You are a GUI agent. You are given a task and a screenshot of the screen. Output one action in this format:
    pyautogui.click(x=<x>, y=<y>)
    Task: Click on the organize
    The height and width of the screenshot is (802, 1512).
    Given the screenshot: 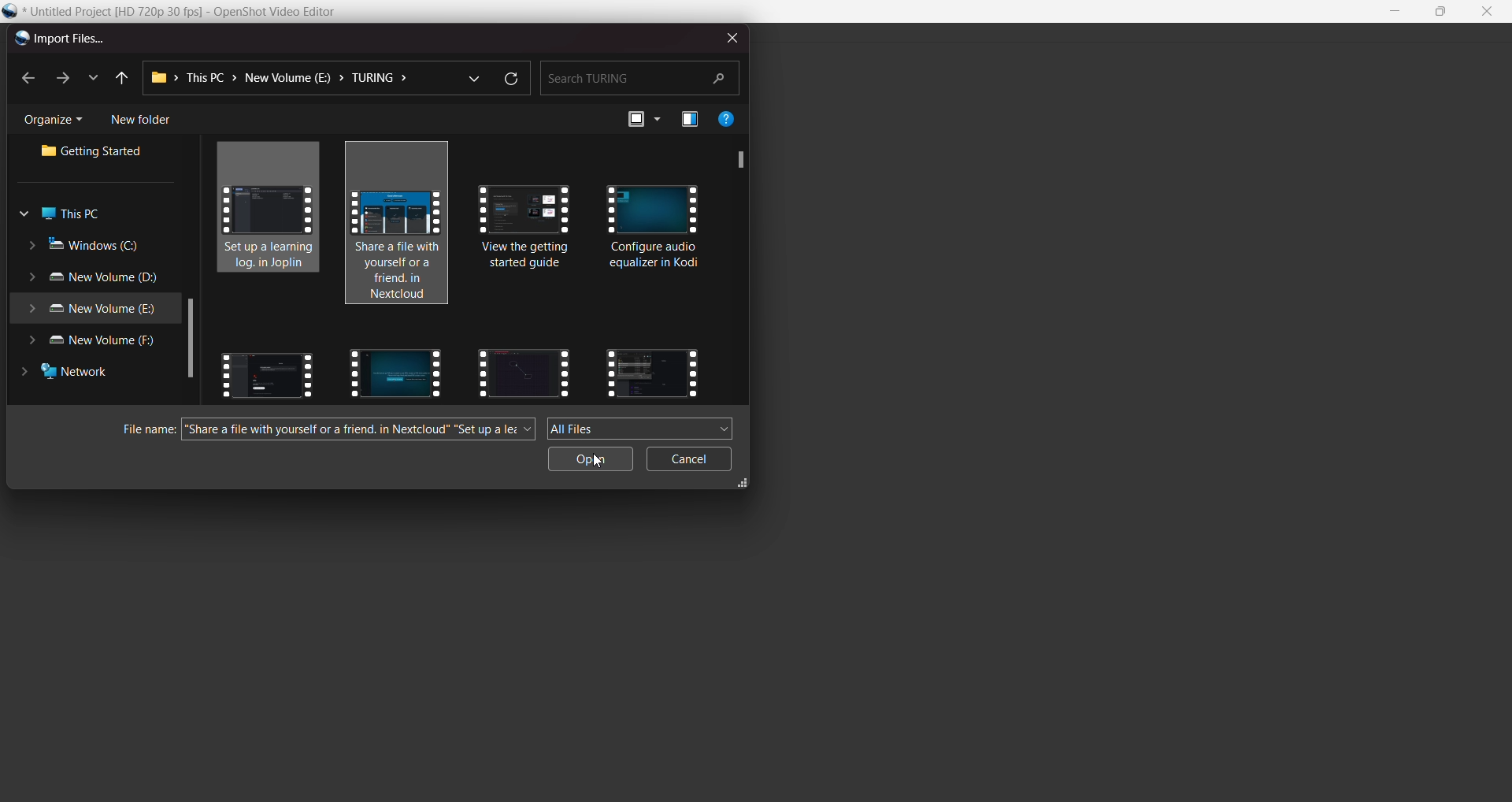 What is the action you would take?
    pyautogui.click(x=57, y=121)
    